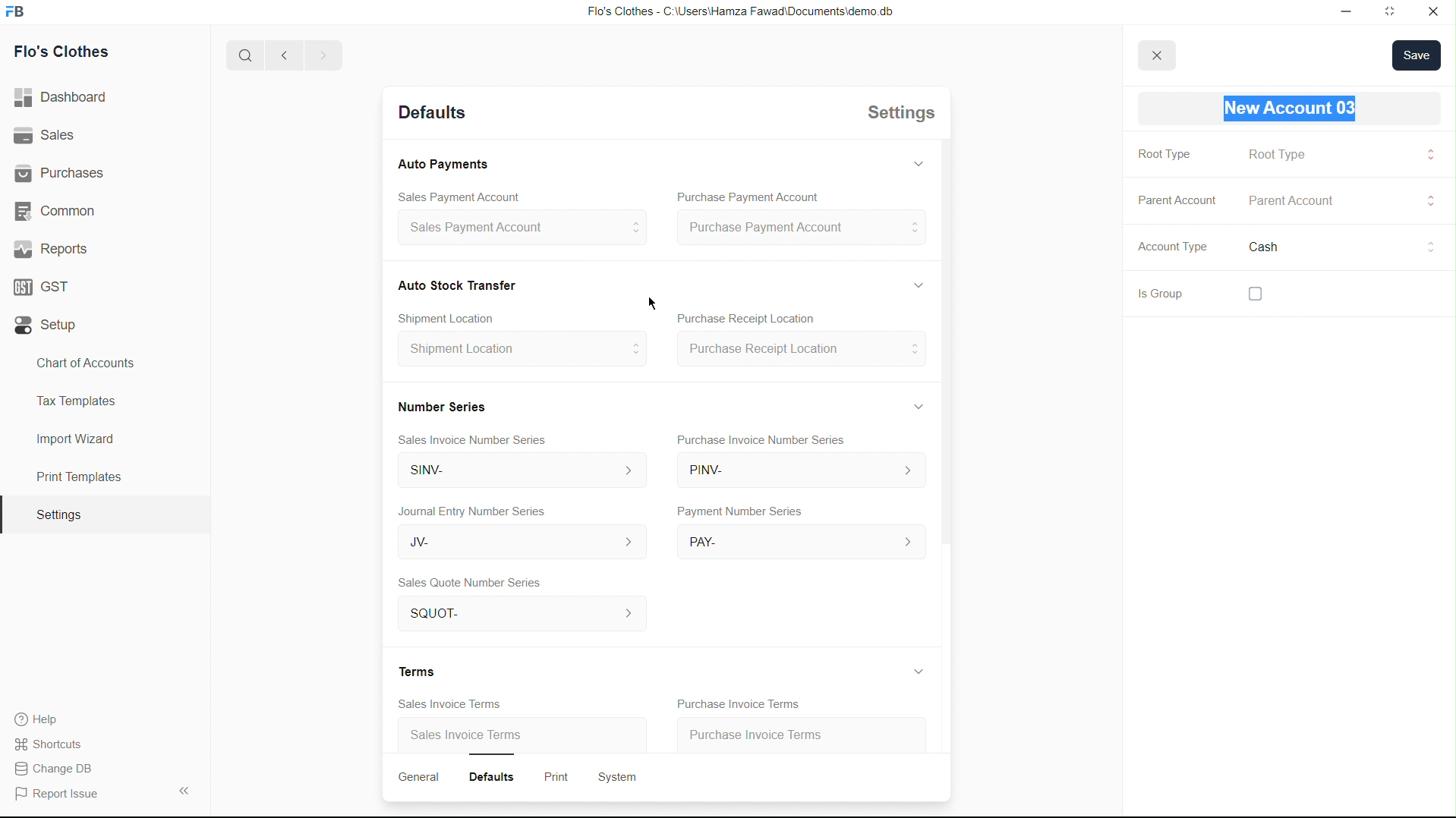  What do you see at coordinates (1428, 158) in the screenshot?
I see `` at bounding box center [1428, 158].